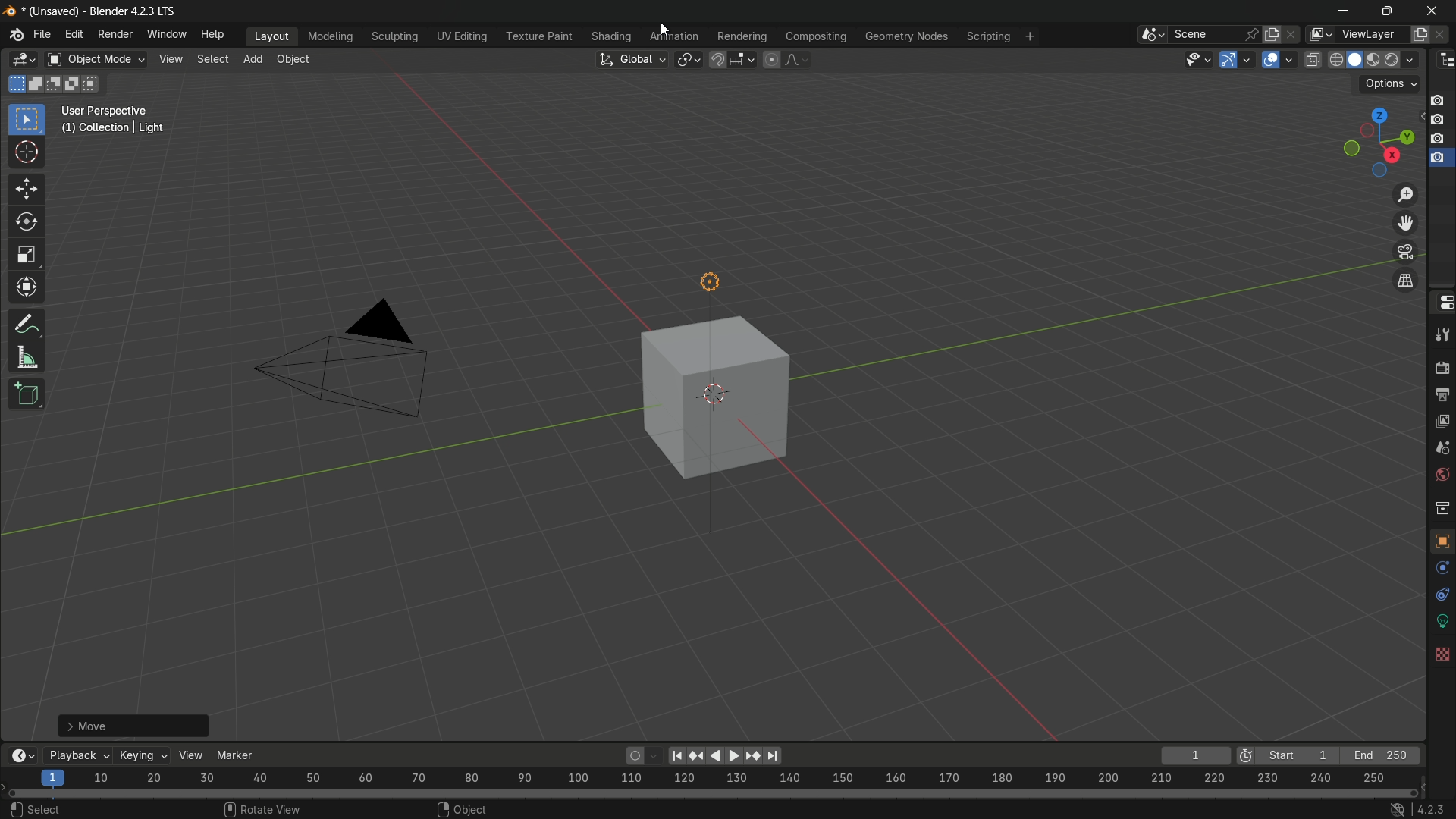 Image resolution: width=1456 pixels, height=819 pixels. What do you see at coordinates (1208, 36) in the screenshot?
I see `scene name` at bounding box center [1208, 36].